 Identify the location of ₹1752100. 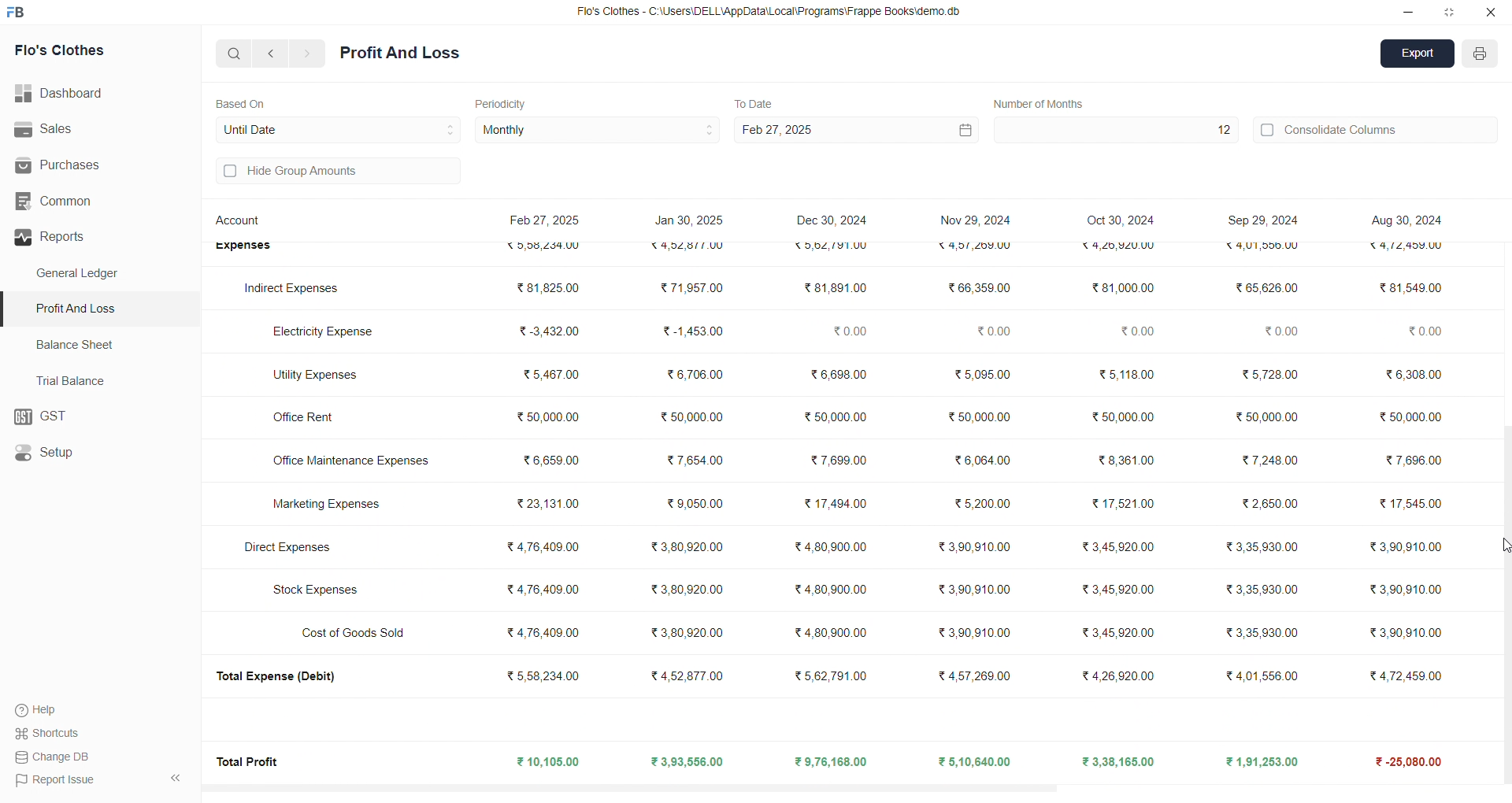
(1125, 504).